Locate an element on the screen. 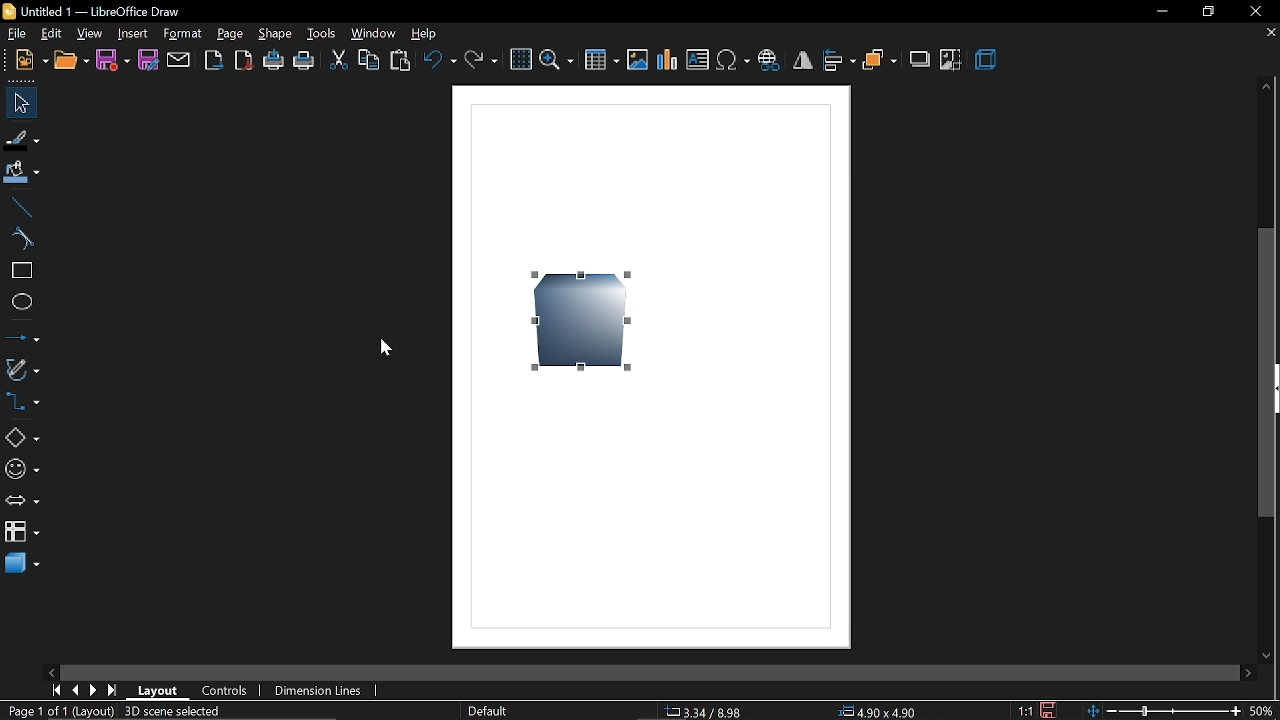  connector is located at coordinates (23, 404).